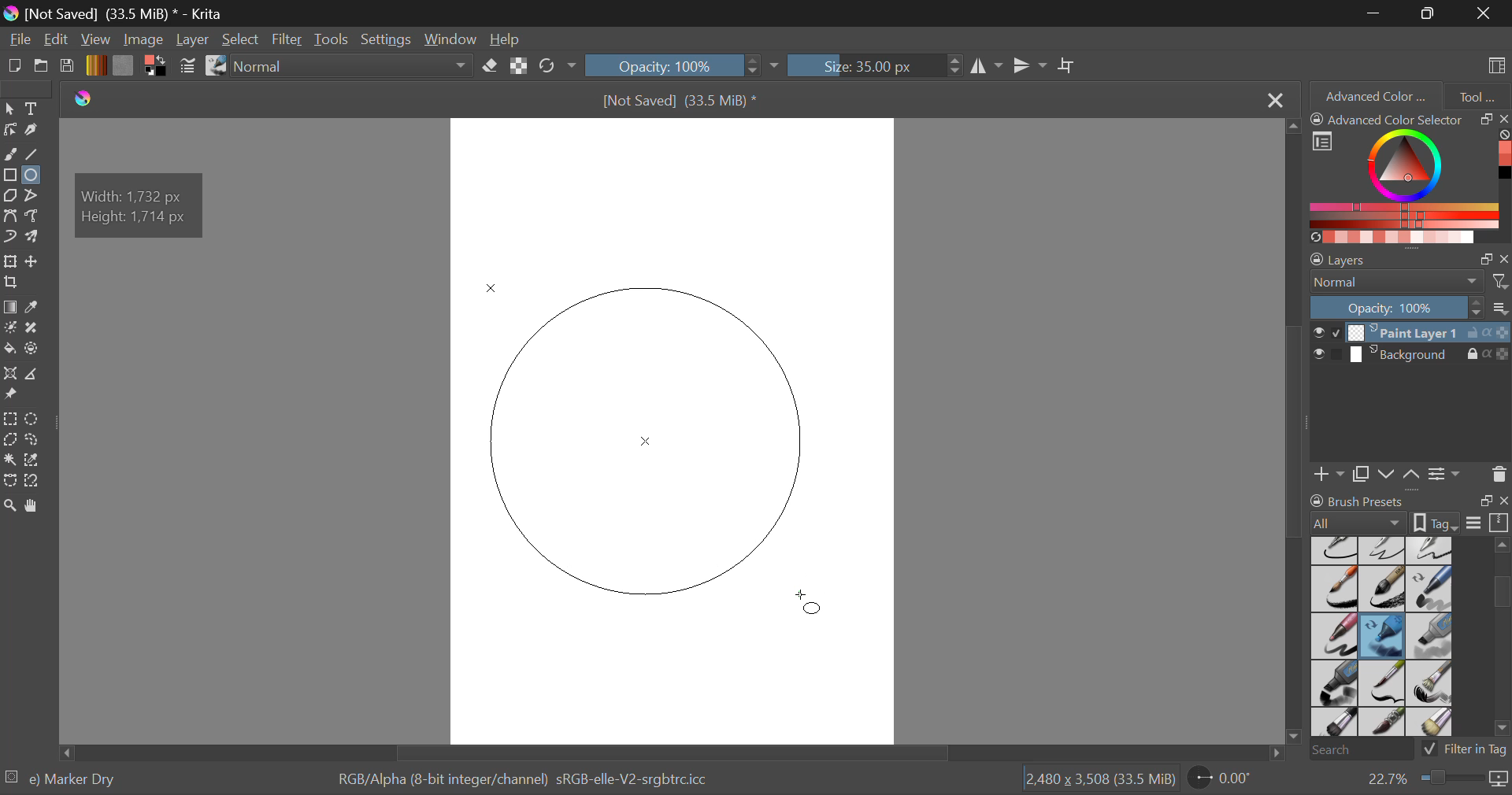 The height and width of the screenshot is (795, 1512). I want to click on Calligraphic Tool, so click(35, 130).